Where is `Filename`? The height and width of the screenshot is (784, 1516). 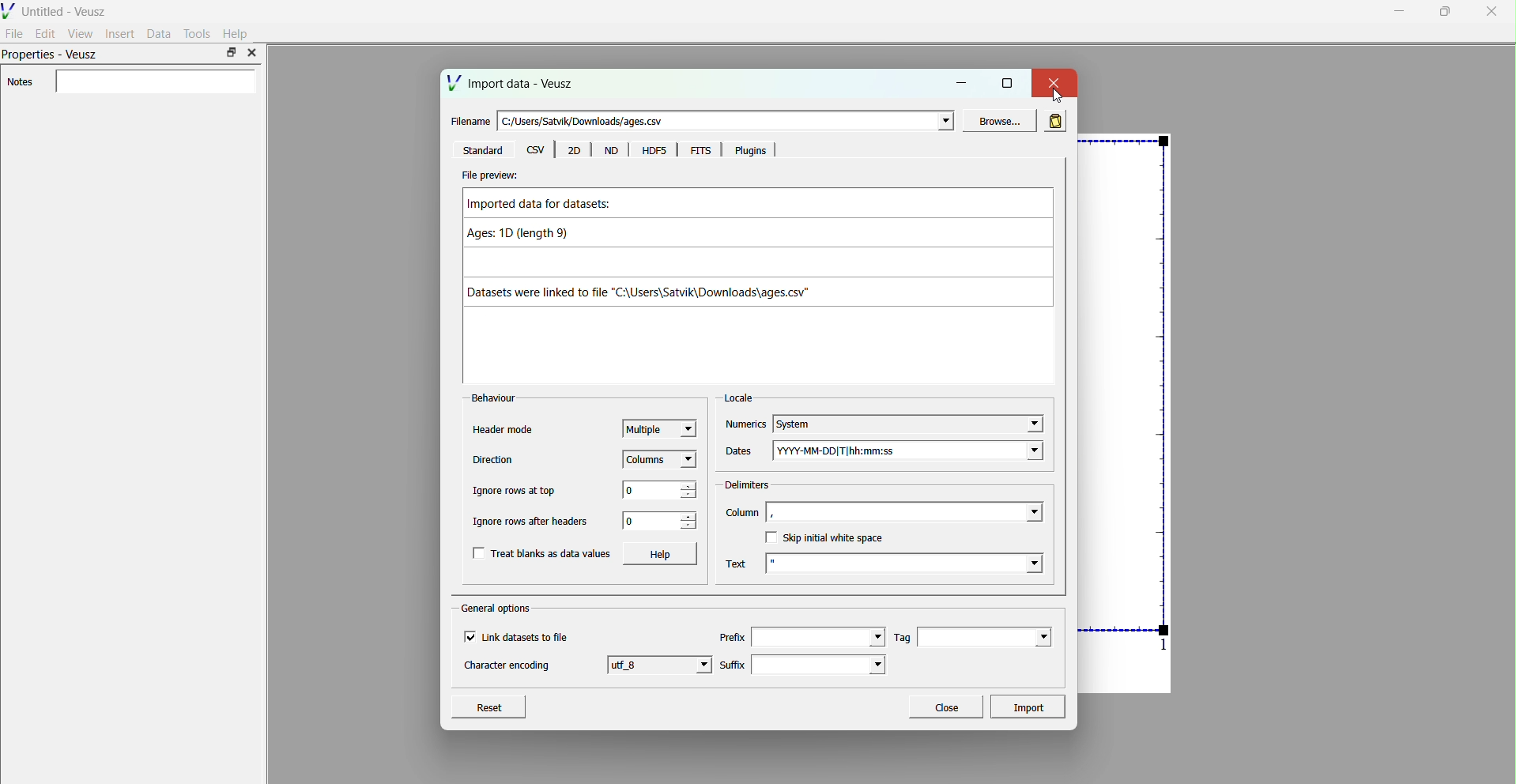 Filename is located at coordinates (467, 122).